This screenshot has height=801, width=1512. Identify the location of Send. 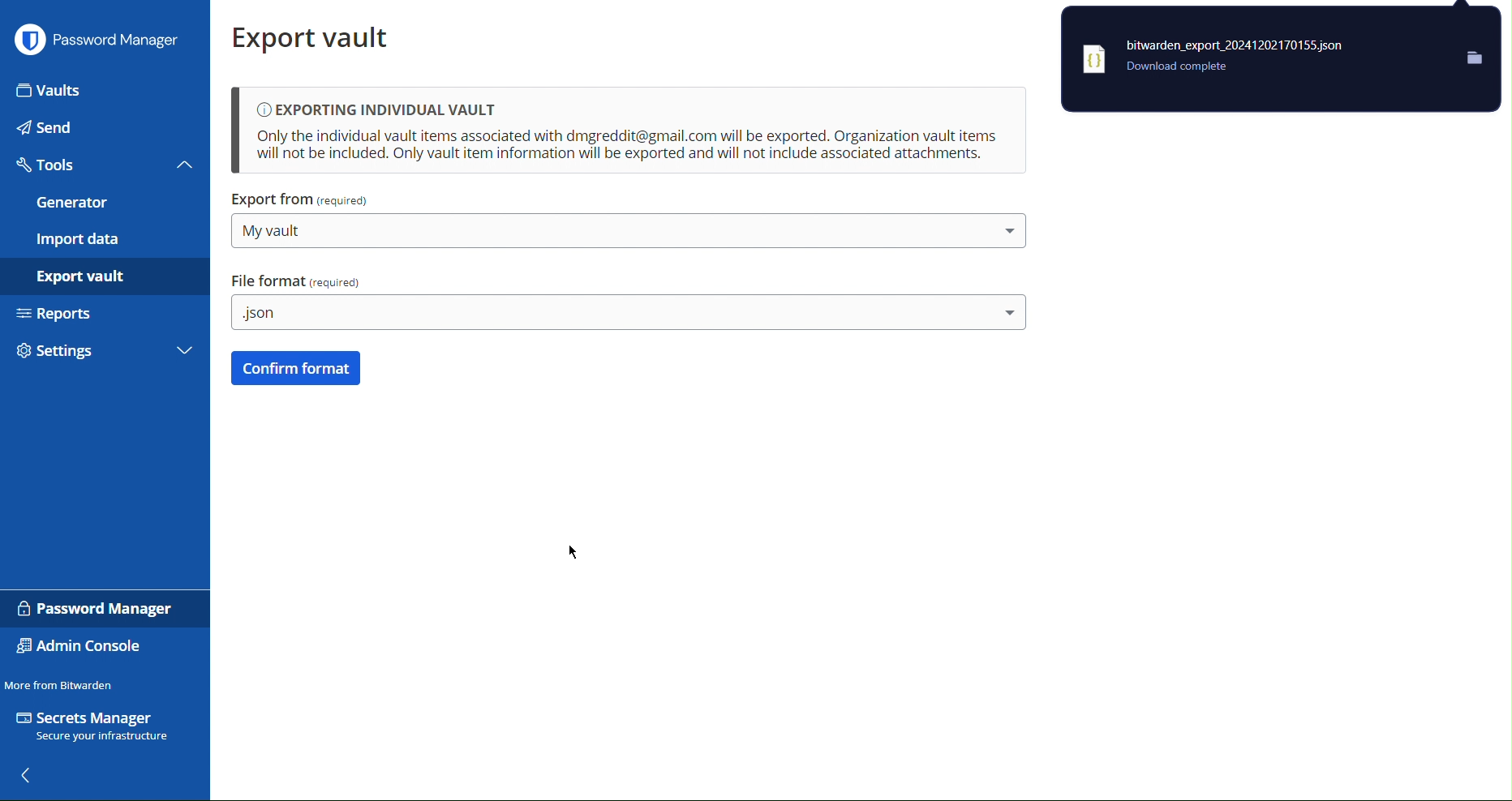
(49, 131).